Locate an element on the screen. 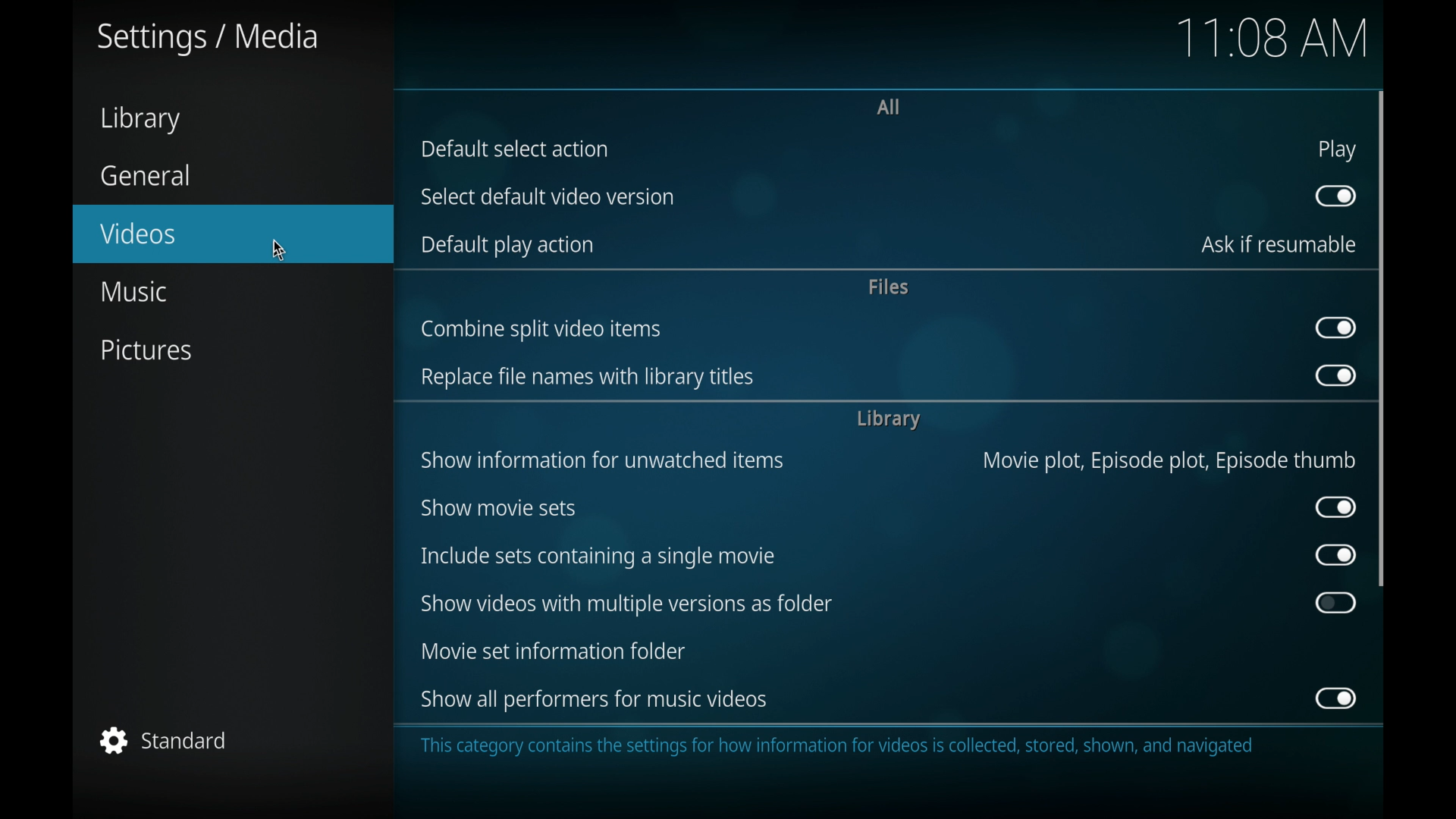 This screenshot has height=819, width=1456. toggle button is located at coordinates (1336, 698).